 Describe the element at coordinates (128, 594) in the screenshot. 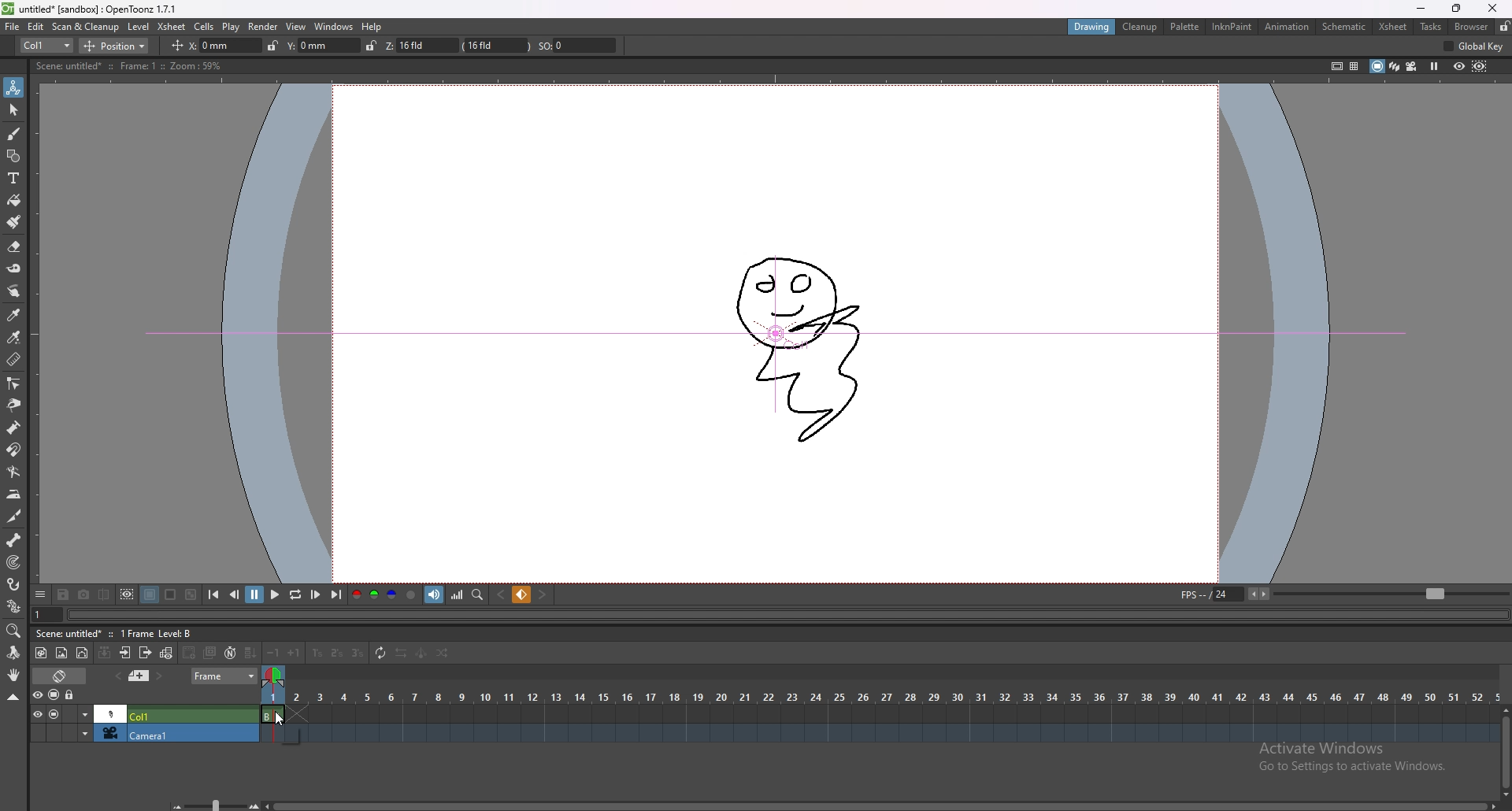

I see `define sub camera` at that location.